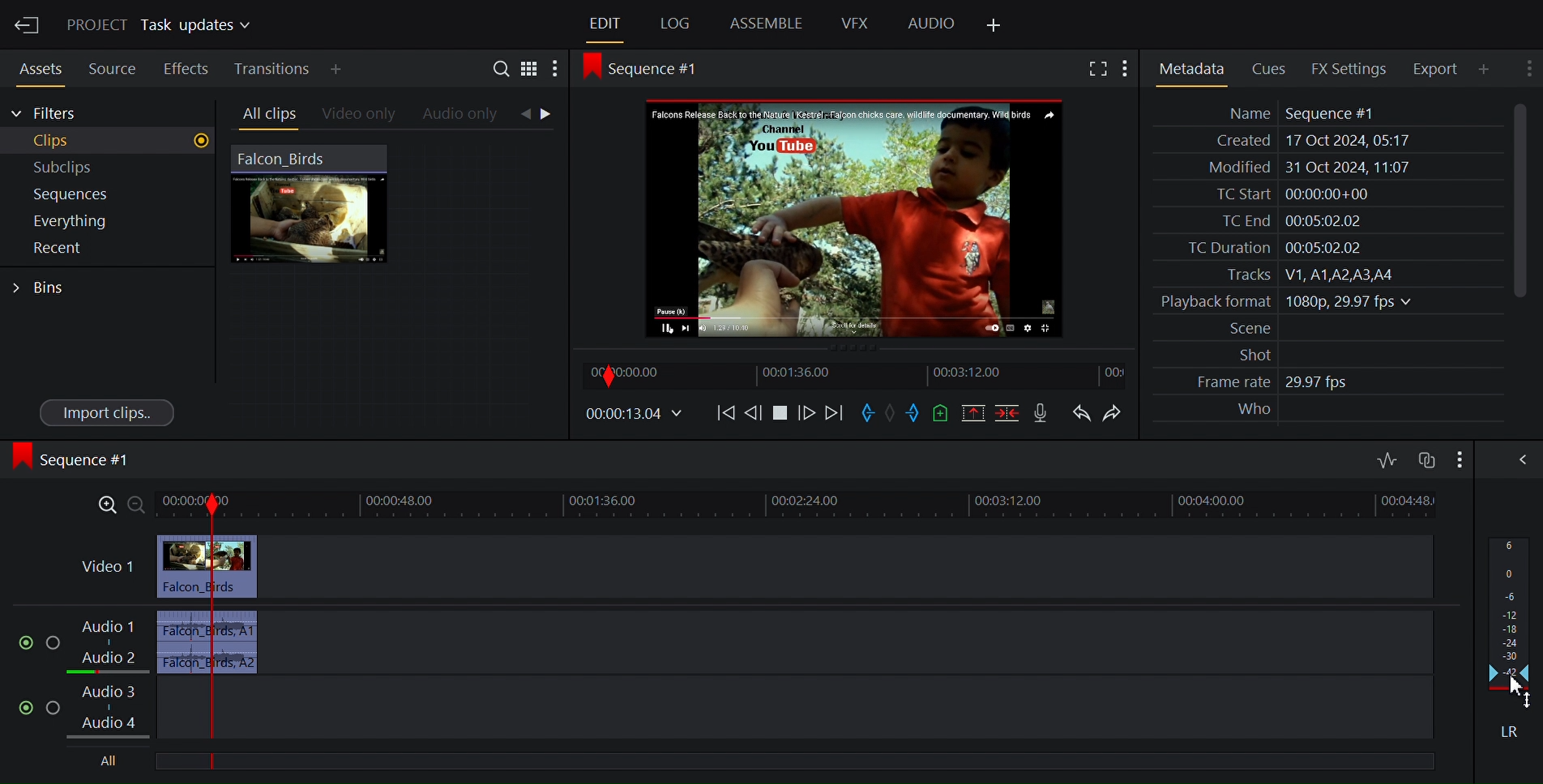 Image resolution: width=1543 pixels, height=784 pixels. Describe the element at coordinates (545, 116) in the screenshot. I see `Navigation` at that location.